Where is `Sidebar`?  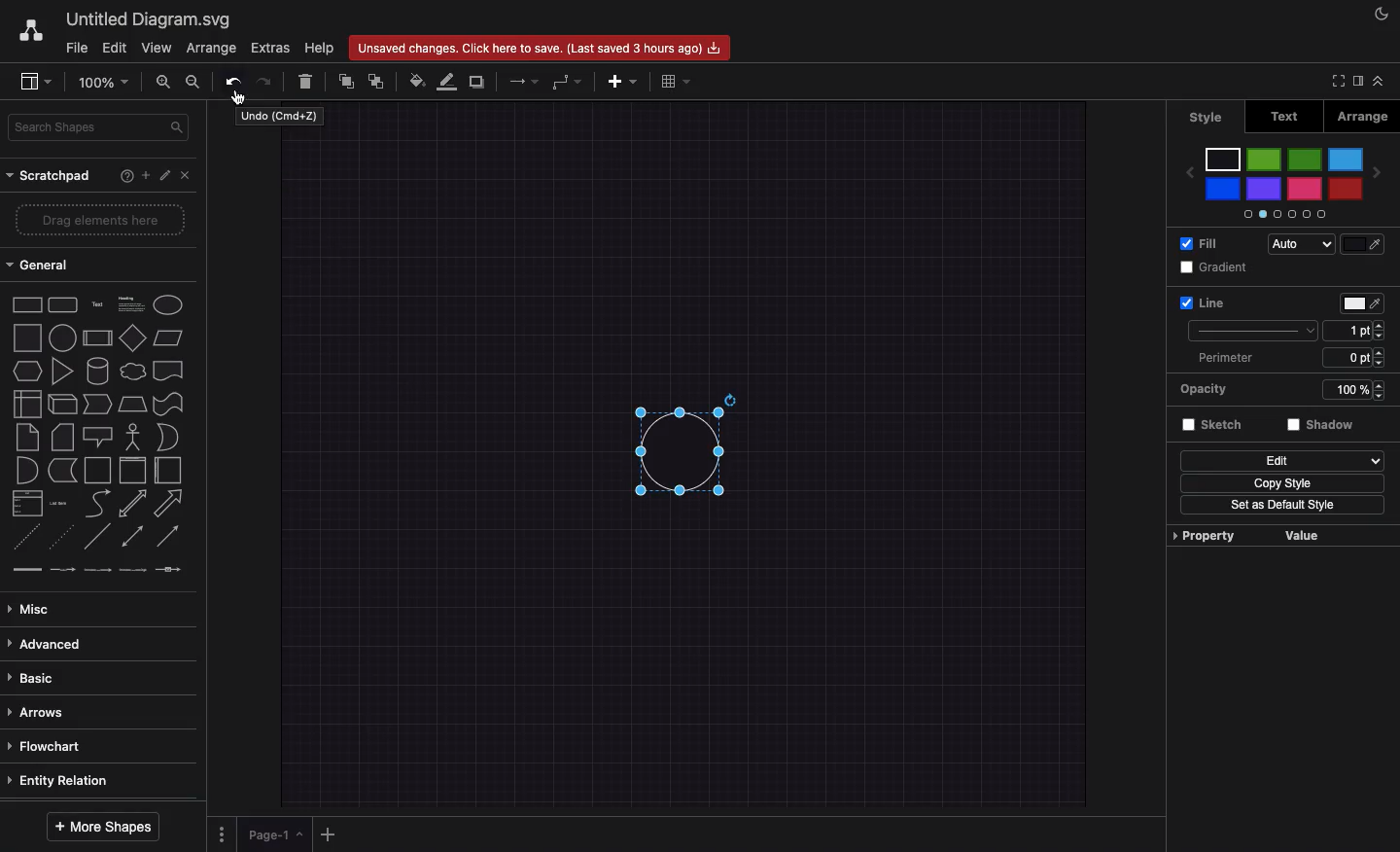
Sidebar is located at coordinates (38, 80).